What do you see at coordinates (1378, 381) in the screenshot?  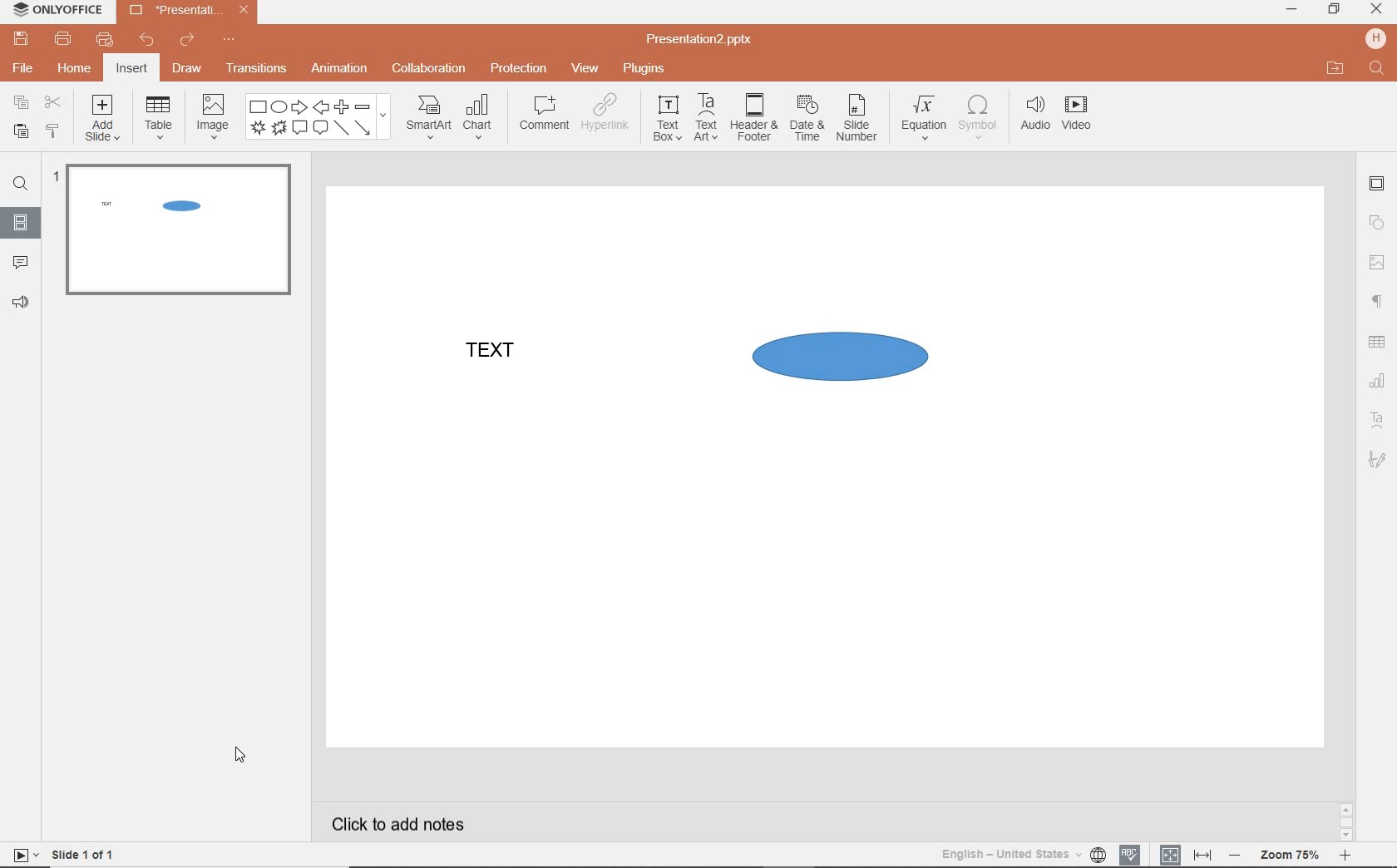 I see `CHART SETTINGS` at bounding box center [1378, 381].